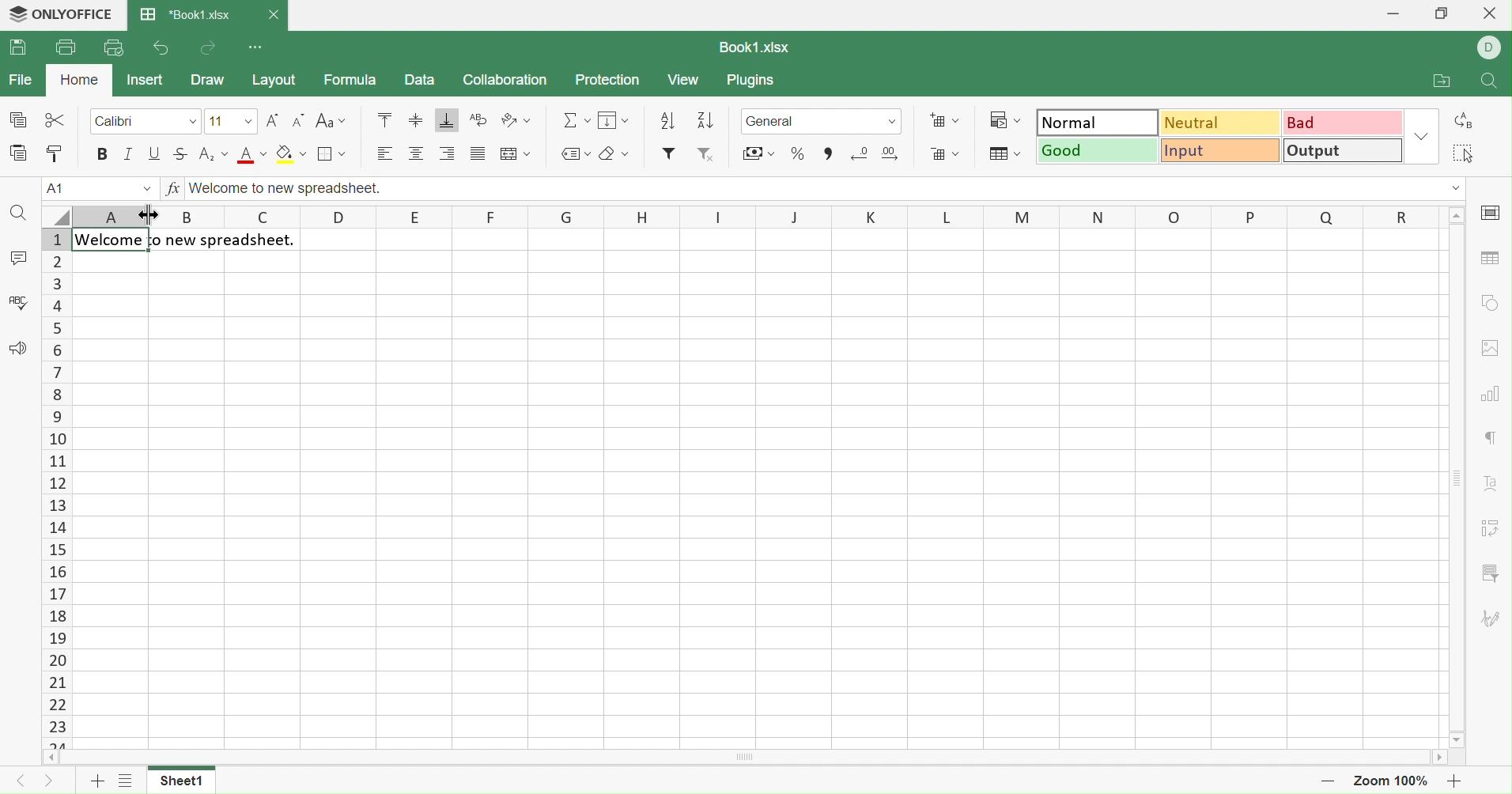 The width and height of the screenshot is (1512, 794). I want to click on Slicer settings, so click(1489, 573).